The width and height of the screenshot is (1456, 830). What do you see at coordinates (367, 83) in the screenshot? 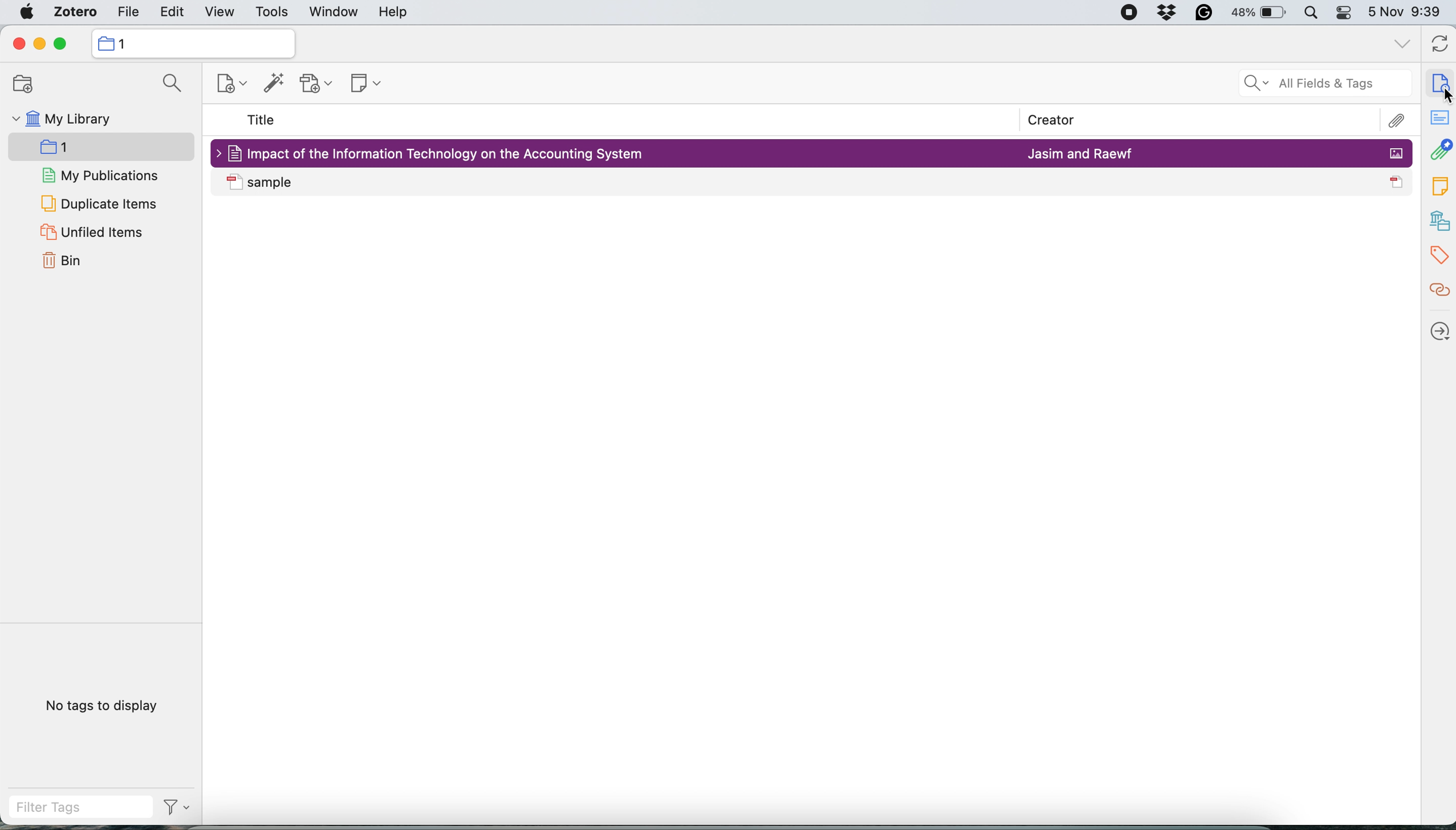
I see `new note` at bounding box center [367, 83].